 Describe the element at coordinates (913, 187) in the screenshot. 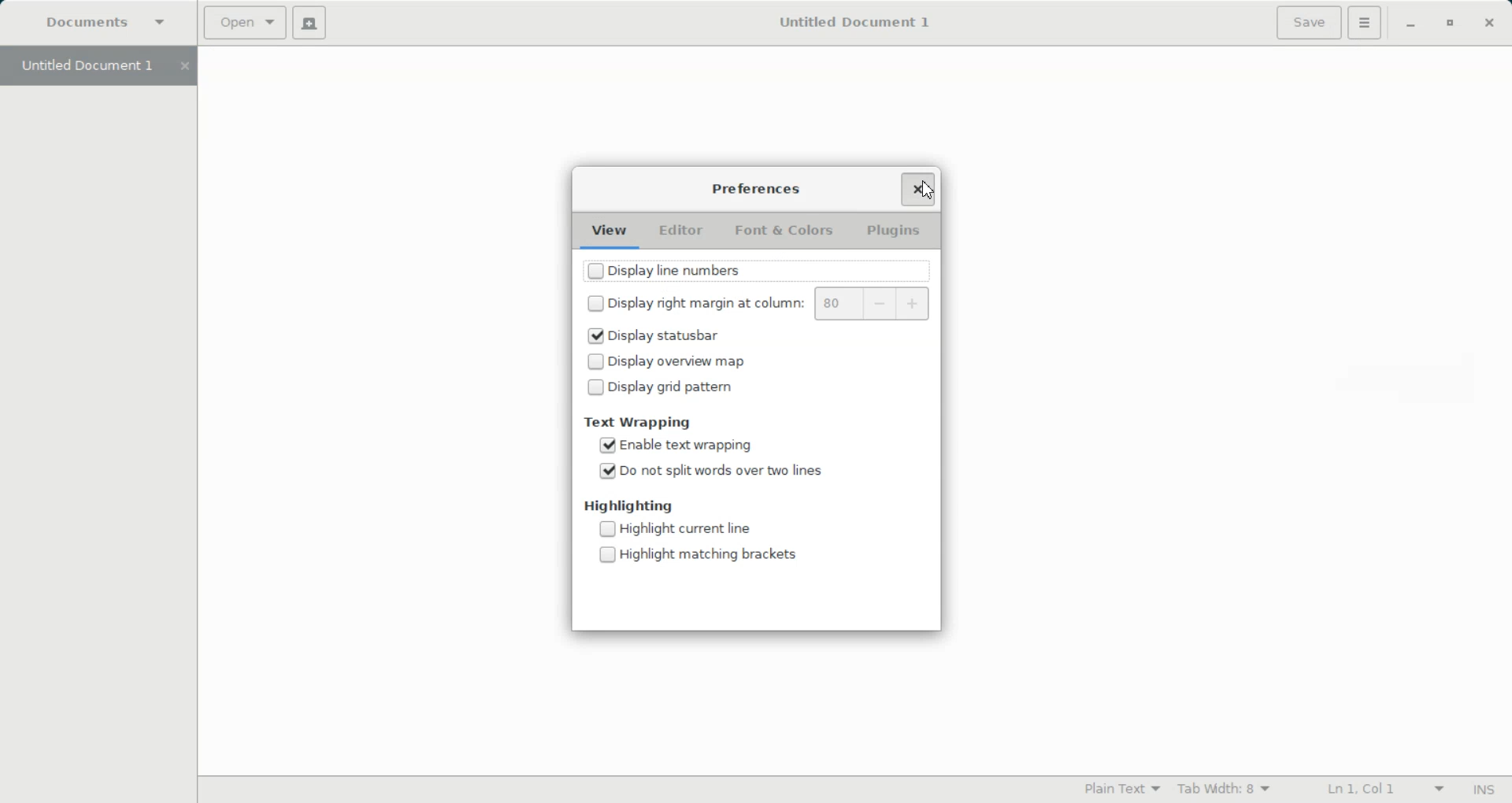

I see `Close` at that location.